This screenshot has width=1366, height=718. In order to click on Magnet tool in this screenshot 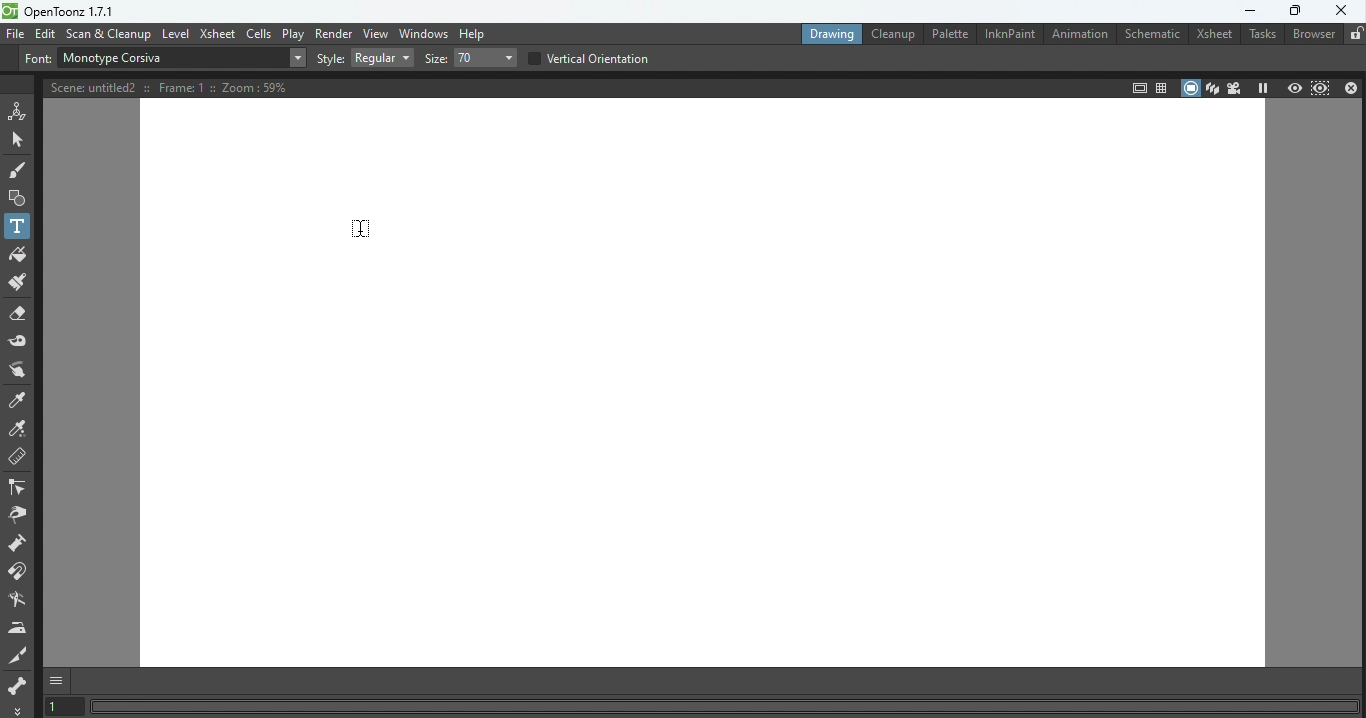, I will do `click(21, 573)`.